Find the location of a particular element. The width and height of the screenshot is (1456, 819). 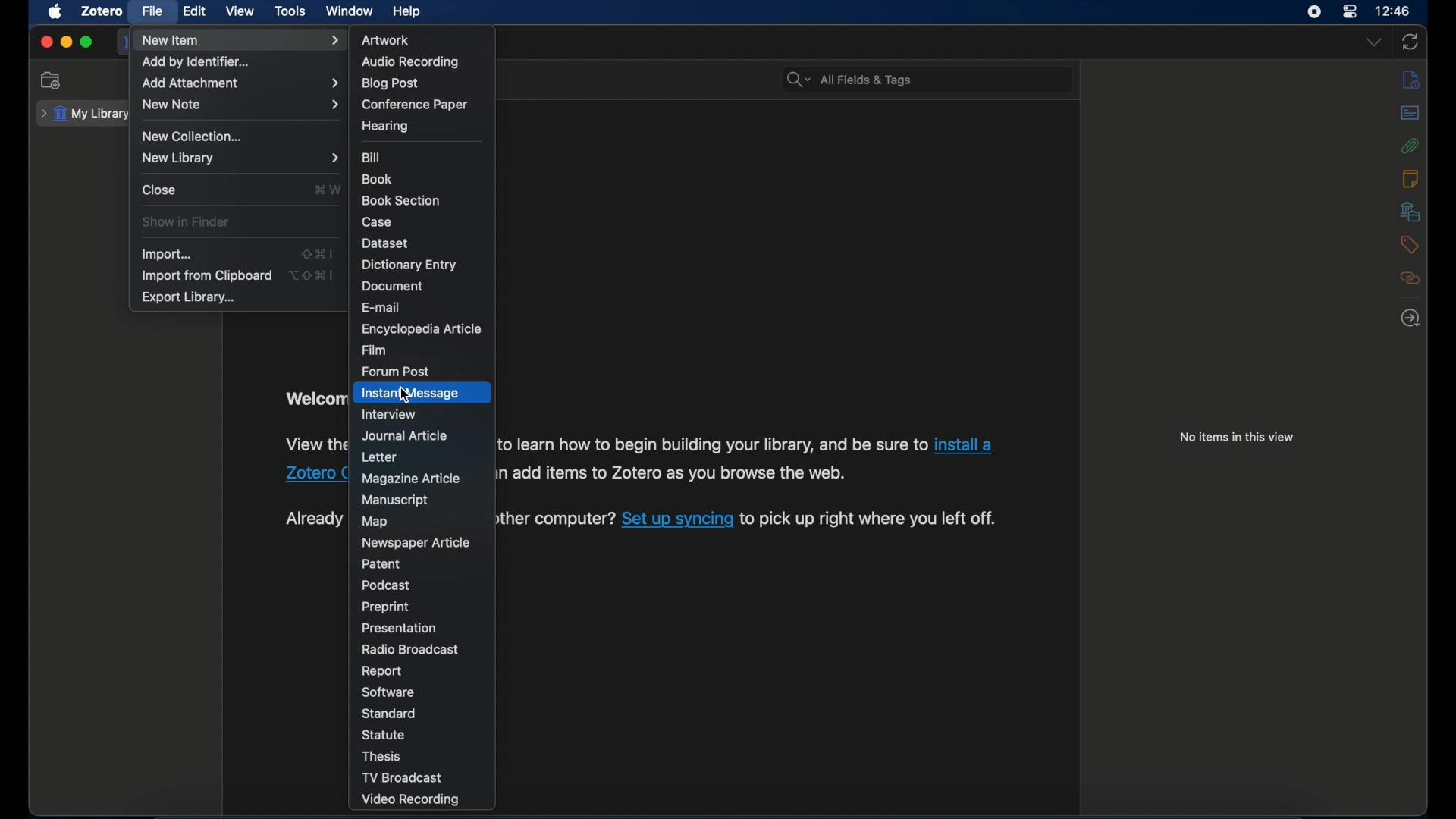

notes is located at coordinates (1414, 79).